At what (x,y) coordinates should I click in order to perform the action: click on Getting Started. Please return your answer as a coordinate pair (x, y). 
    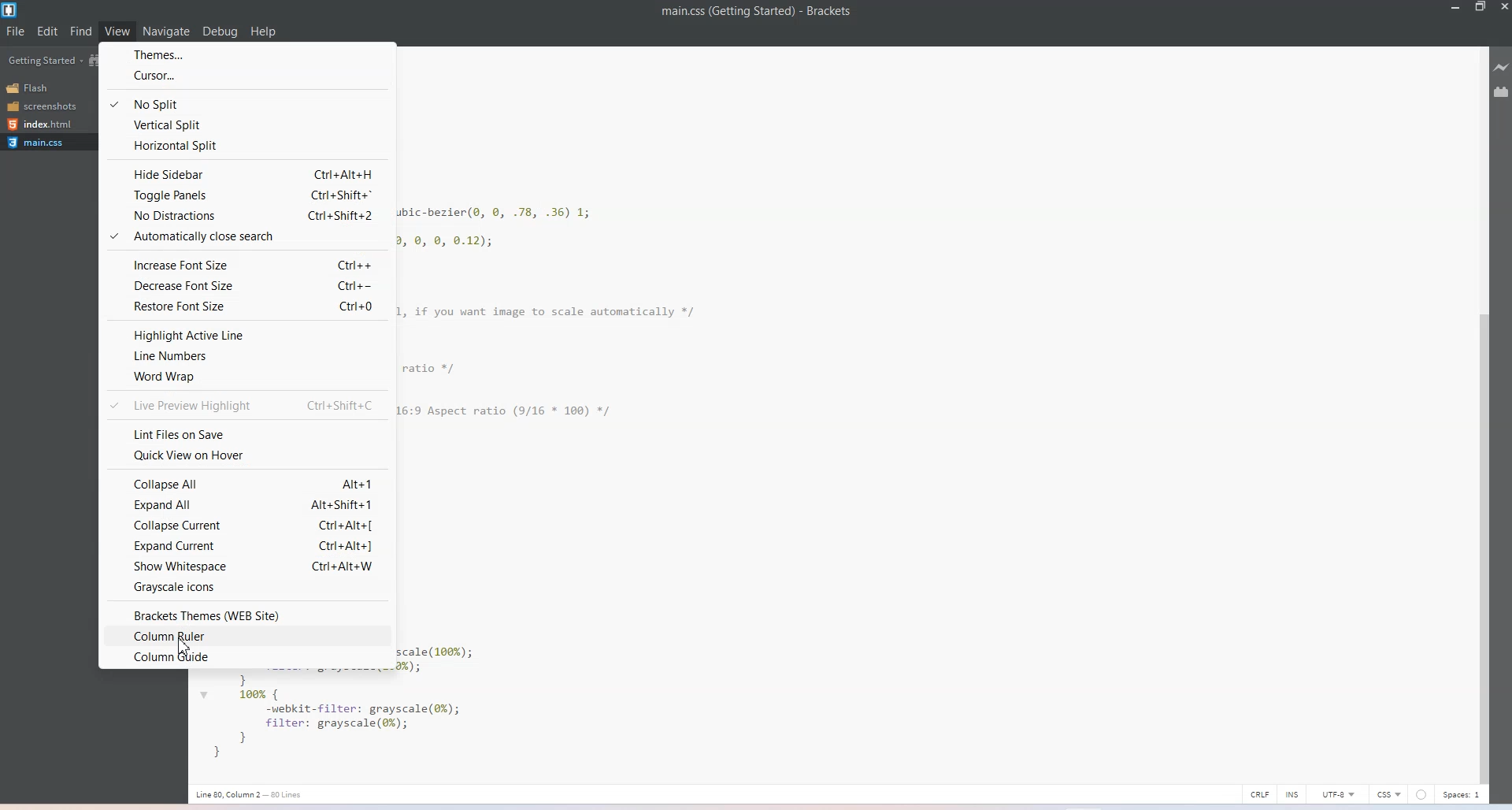
    Looking at the image, I should click on (44, 61).